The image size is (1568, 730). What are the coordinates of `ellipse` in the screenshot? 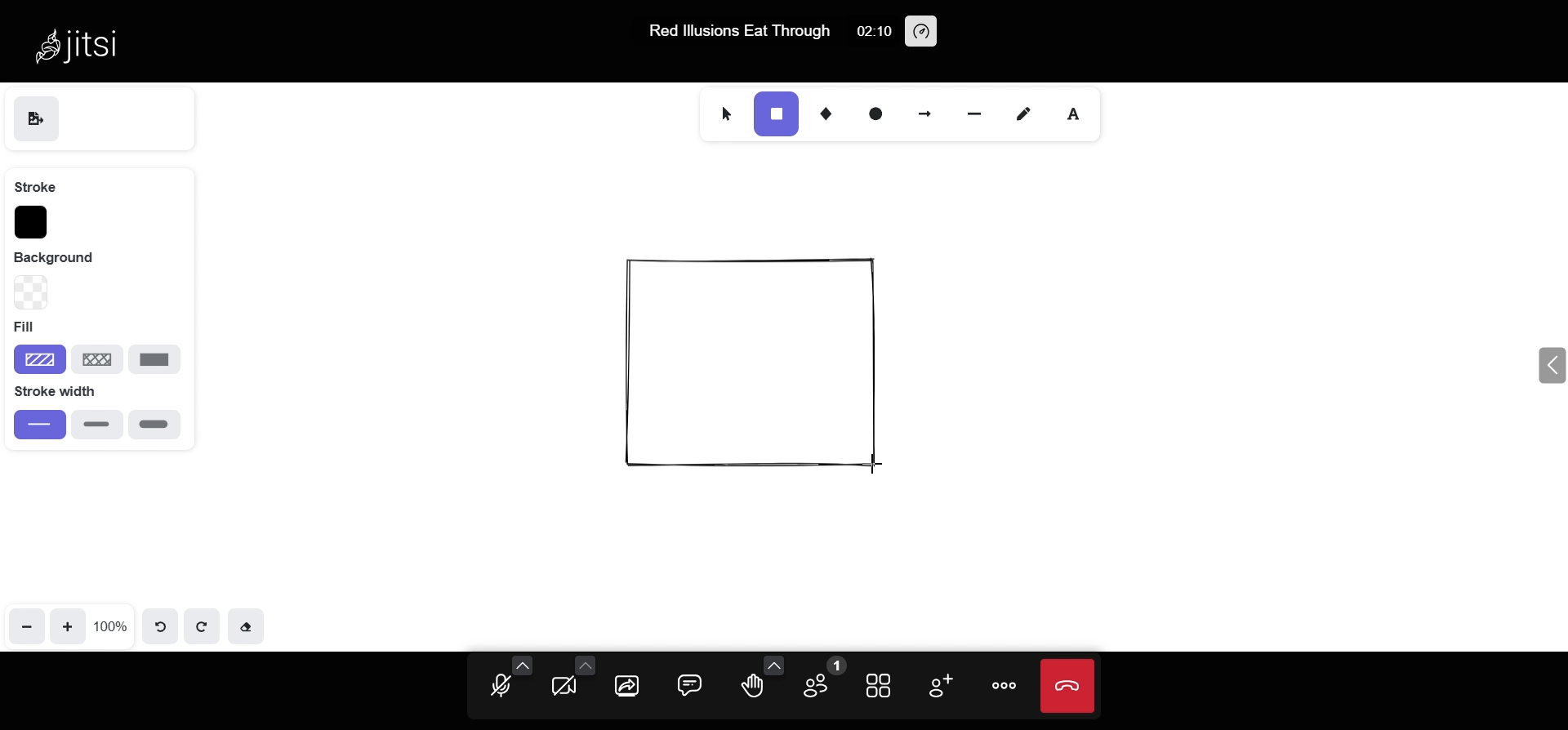 It's located at (876, 111).